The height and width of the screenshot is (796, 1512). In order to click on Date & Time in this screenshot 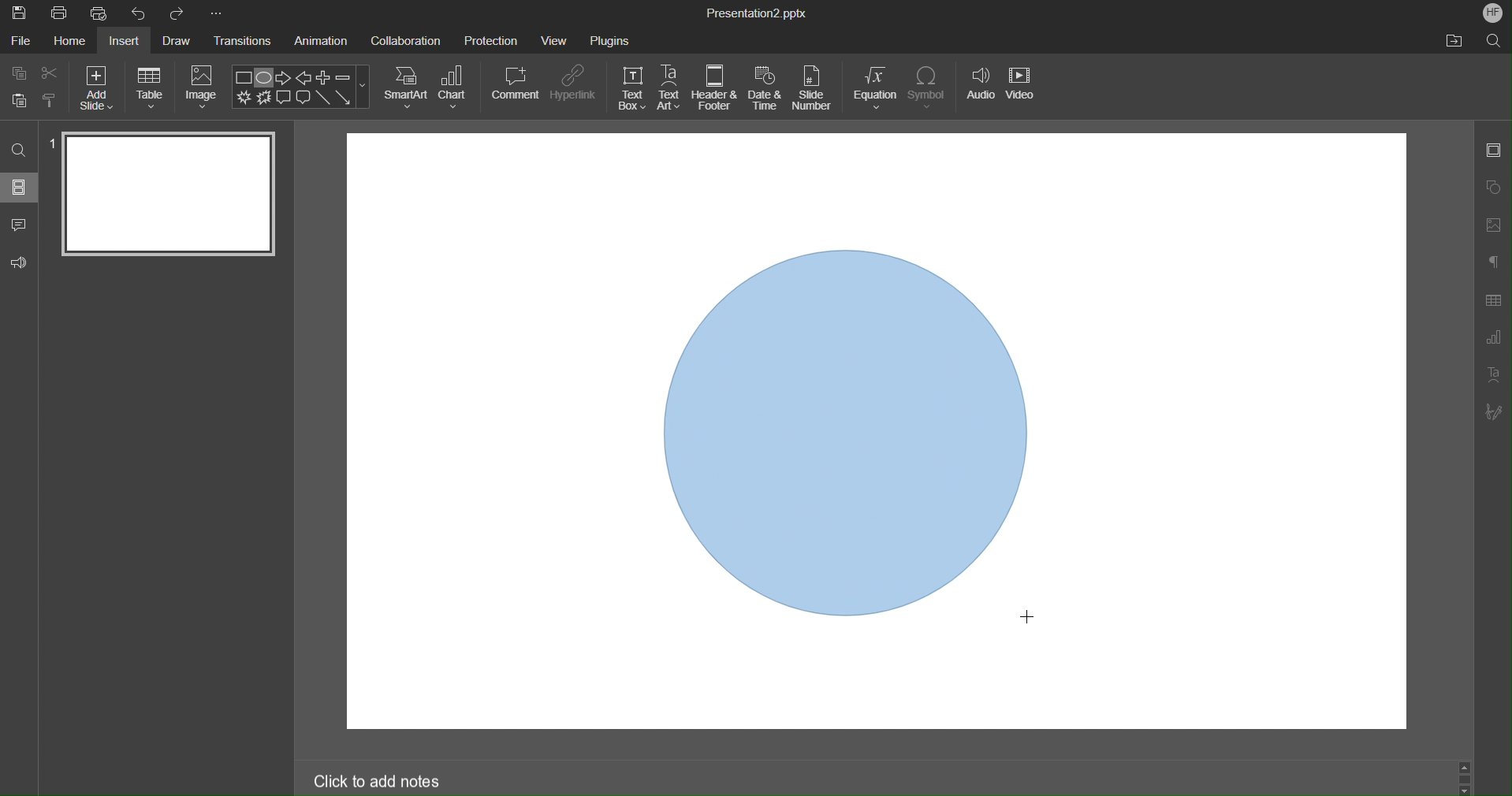, I will do `click(765, 88)`.